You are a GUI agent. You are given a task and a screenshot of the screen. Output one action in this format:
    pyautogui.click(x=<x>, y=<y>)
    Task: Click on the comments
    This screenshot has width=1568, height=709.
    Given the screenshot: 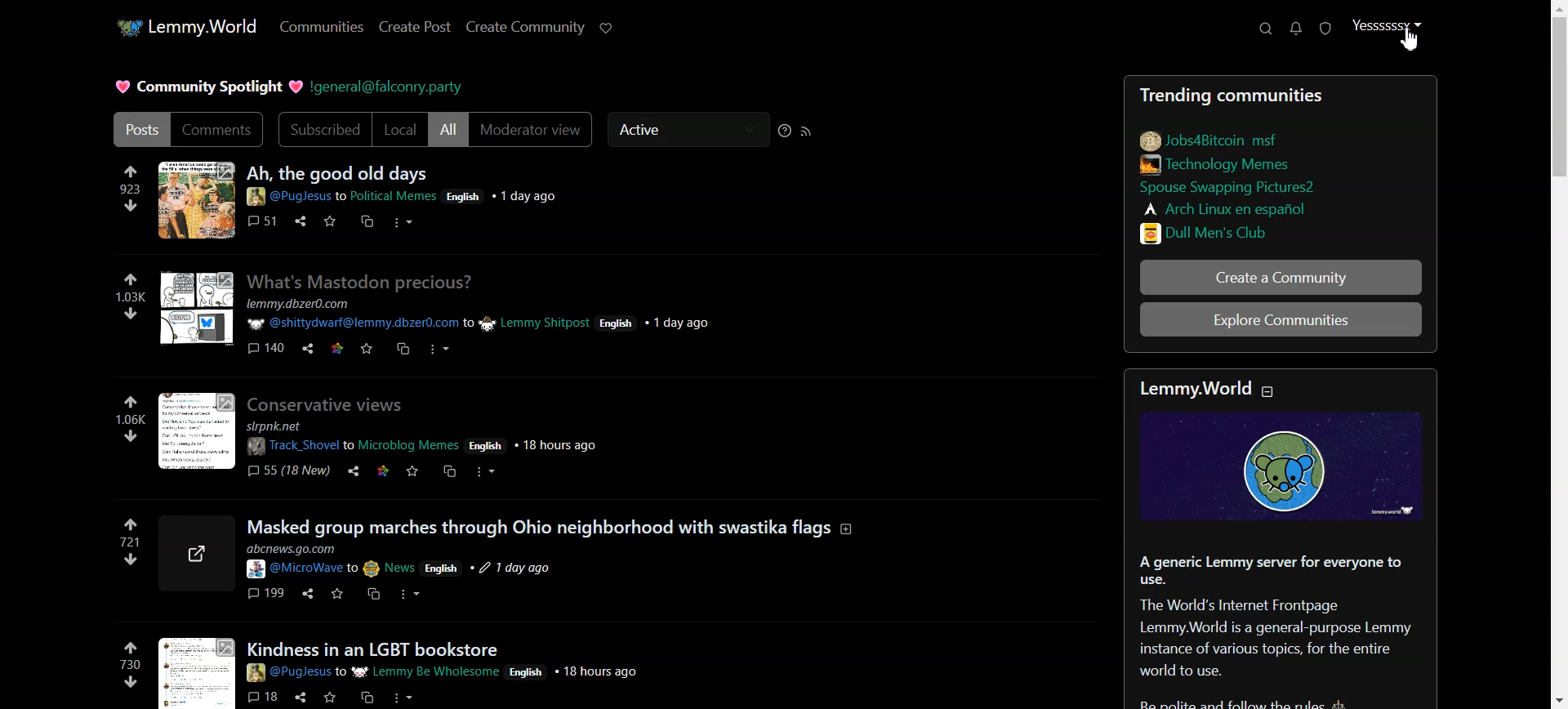 What is the action you would take?
    pyautogui.click(x=261, y=220)
    